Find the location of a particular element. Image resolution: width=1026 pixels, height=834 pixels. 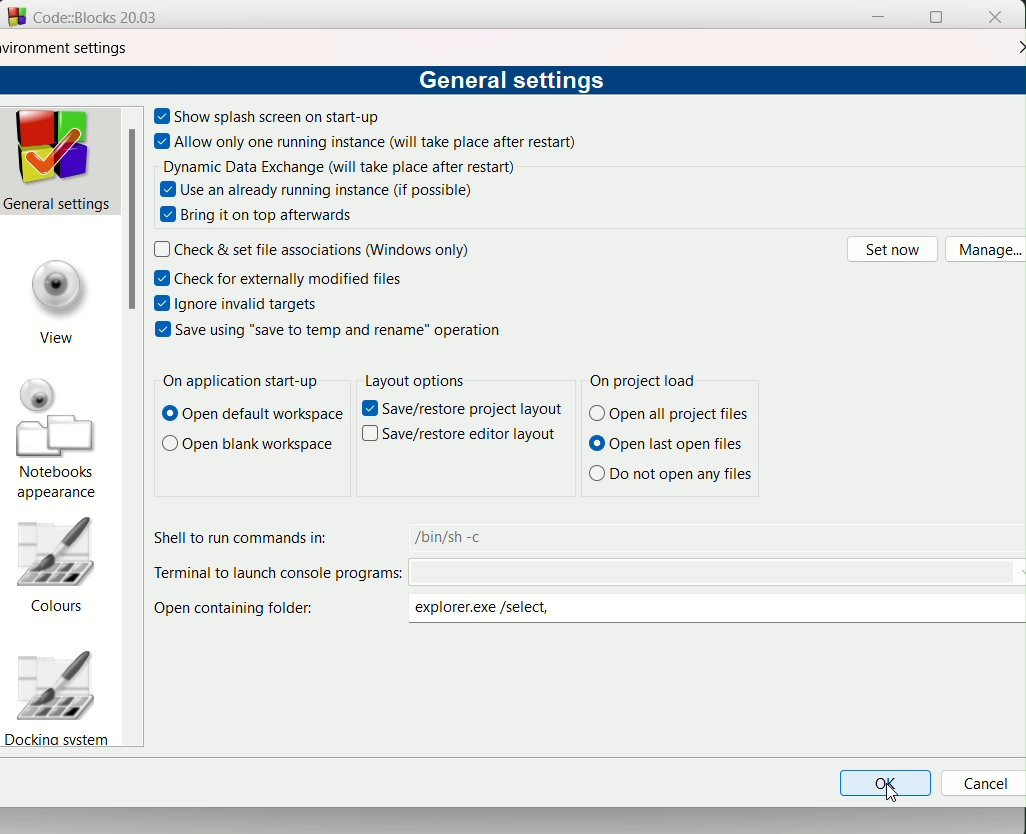

text is located at coordinates (646, 380).